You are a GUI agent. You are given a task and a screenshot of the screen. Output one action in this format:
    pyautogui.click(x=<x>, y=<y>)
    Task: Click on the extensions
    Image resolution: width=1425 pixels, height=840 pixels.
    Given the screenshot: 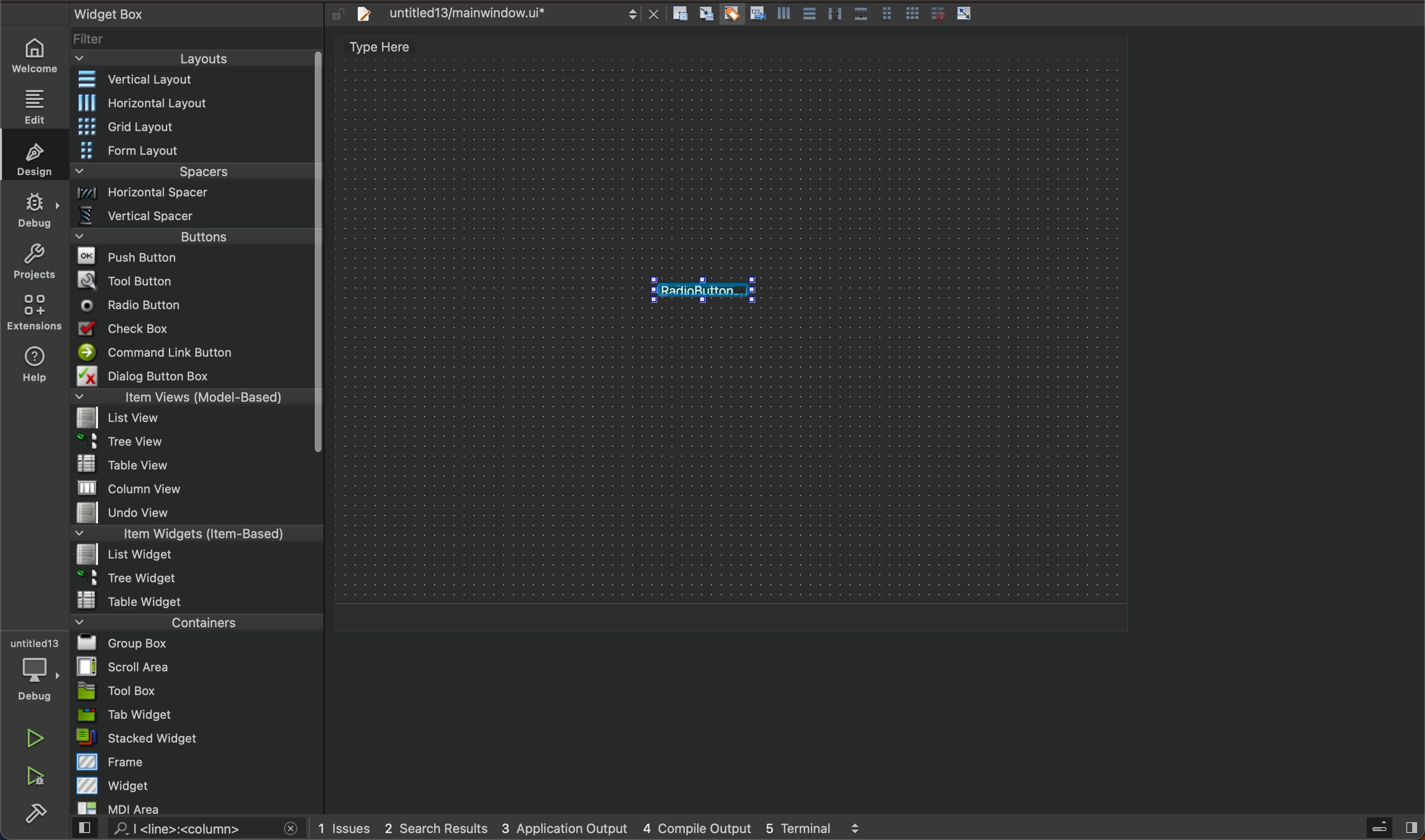 What is the action you would take?
    pyautogui.click(x=33, y=312)
    